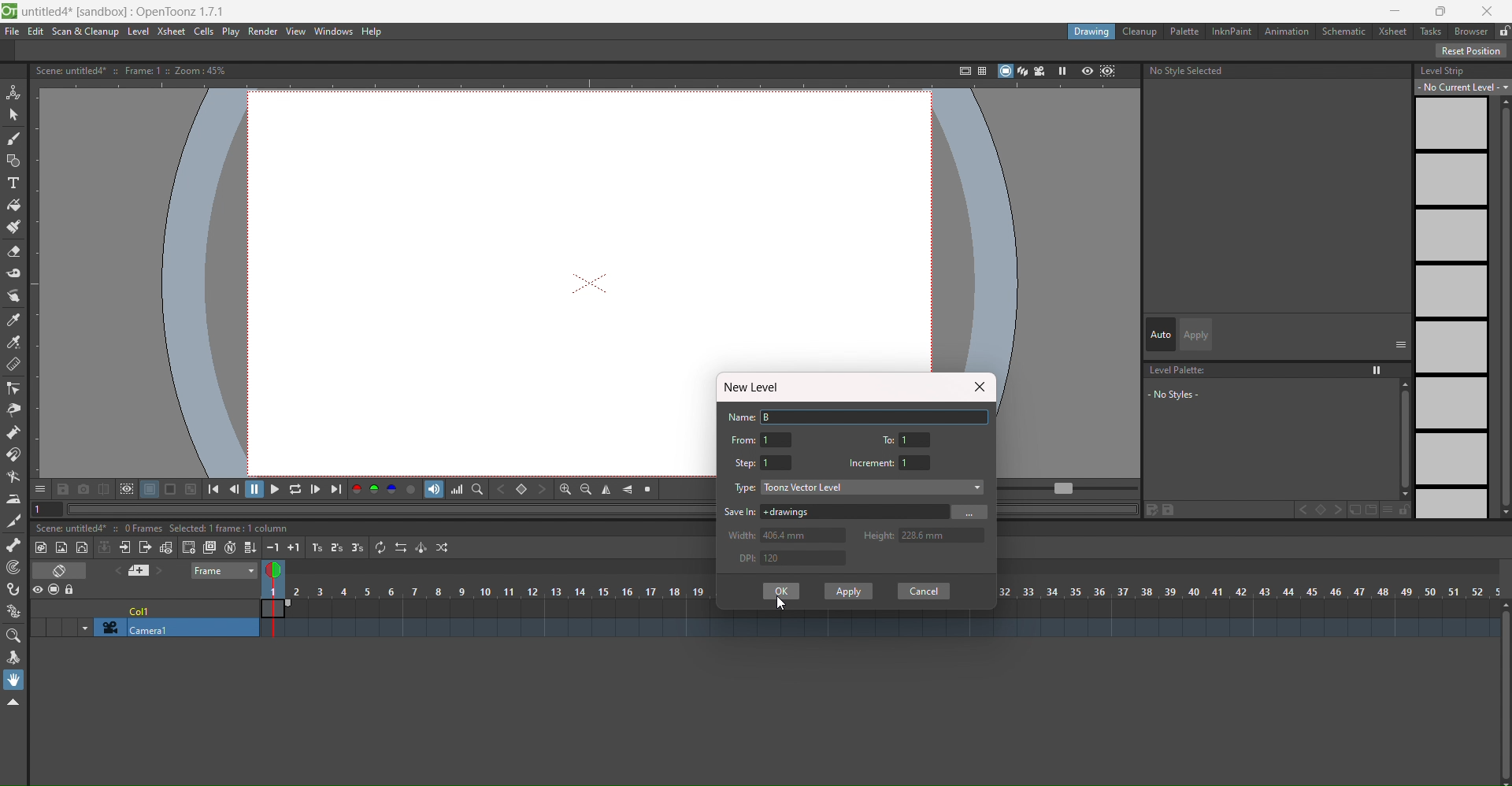 The width and height of the screenshot is (1512, 786). What do you see at coordinates (13, 703) in the screenshot?
I see `collapse toolbar` at bounding box center [13, 703].